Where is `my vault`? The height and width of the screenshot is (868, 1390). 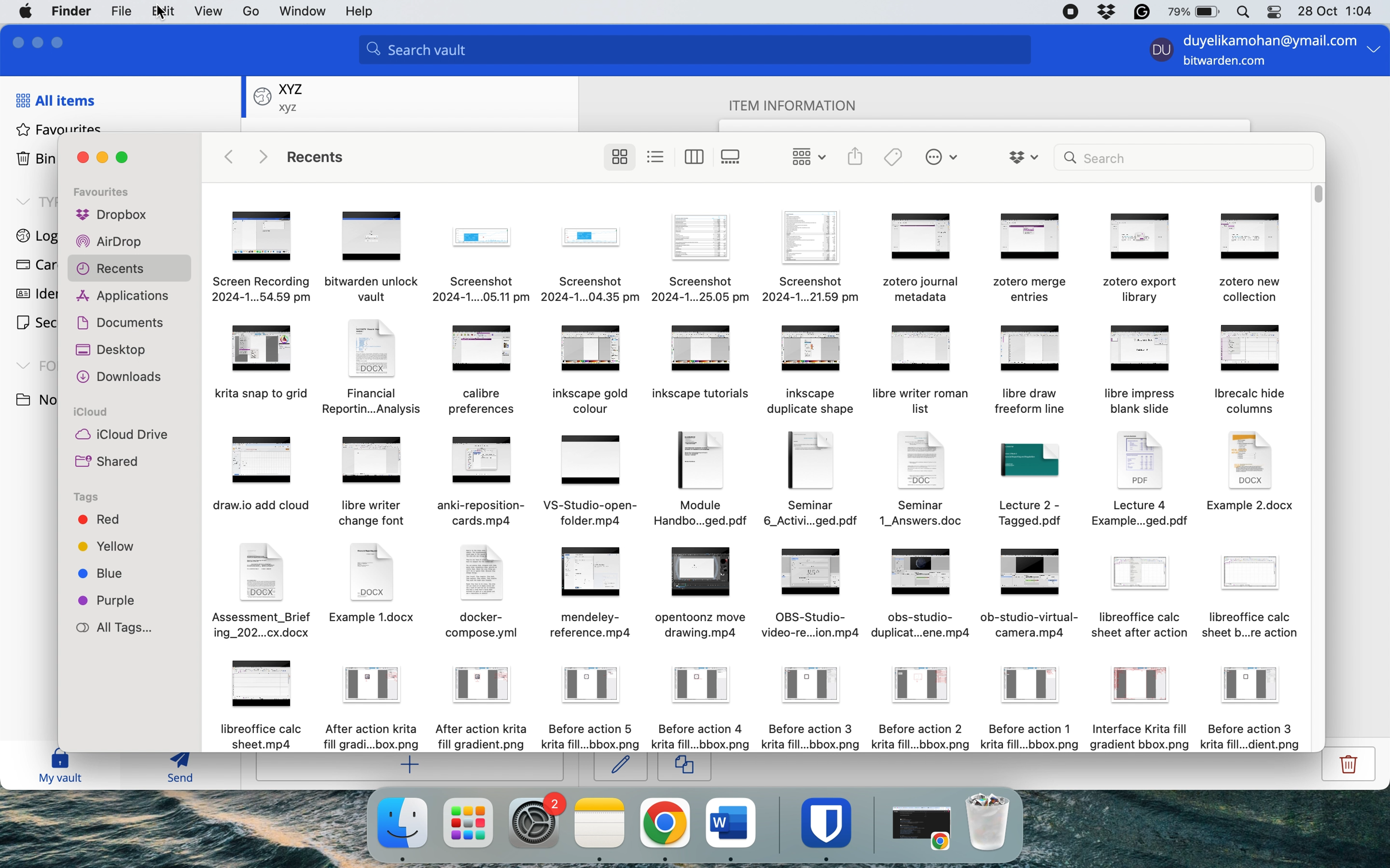 my vault is located at coordinates (60, 768).